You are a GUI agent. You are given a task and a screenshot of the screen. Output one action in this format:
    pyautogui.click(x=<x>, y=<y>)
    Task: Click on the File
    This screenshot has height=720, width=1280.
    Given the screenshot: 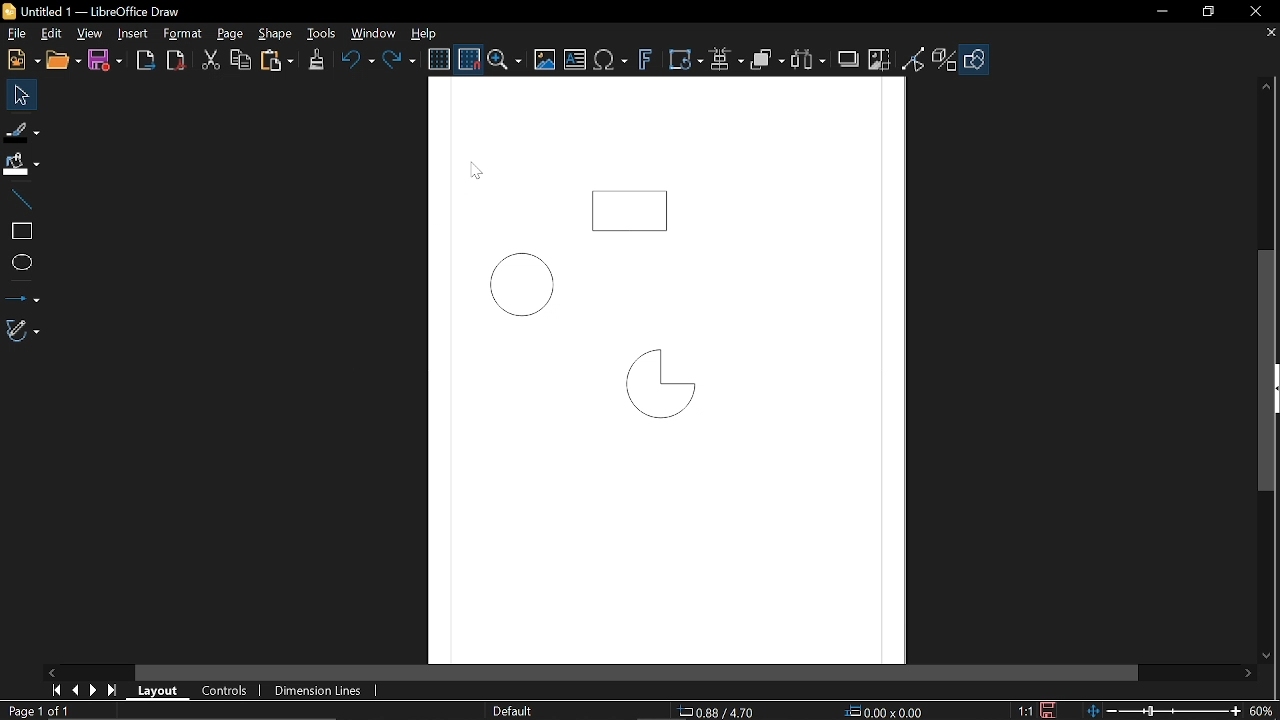 What is the action you would take?
    pyautogui.click(x=17, y=36)
    